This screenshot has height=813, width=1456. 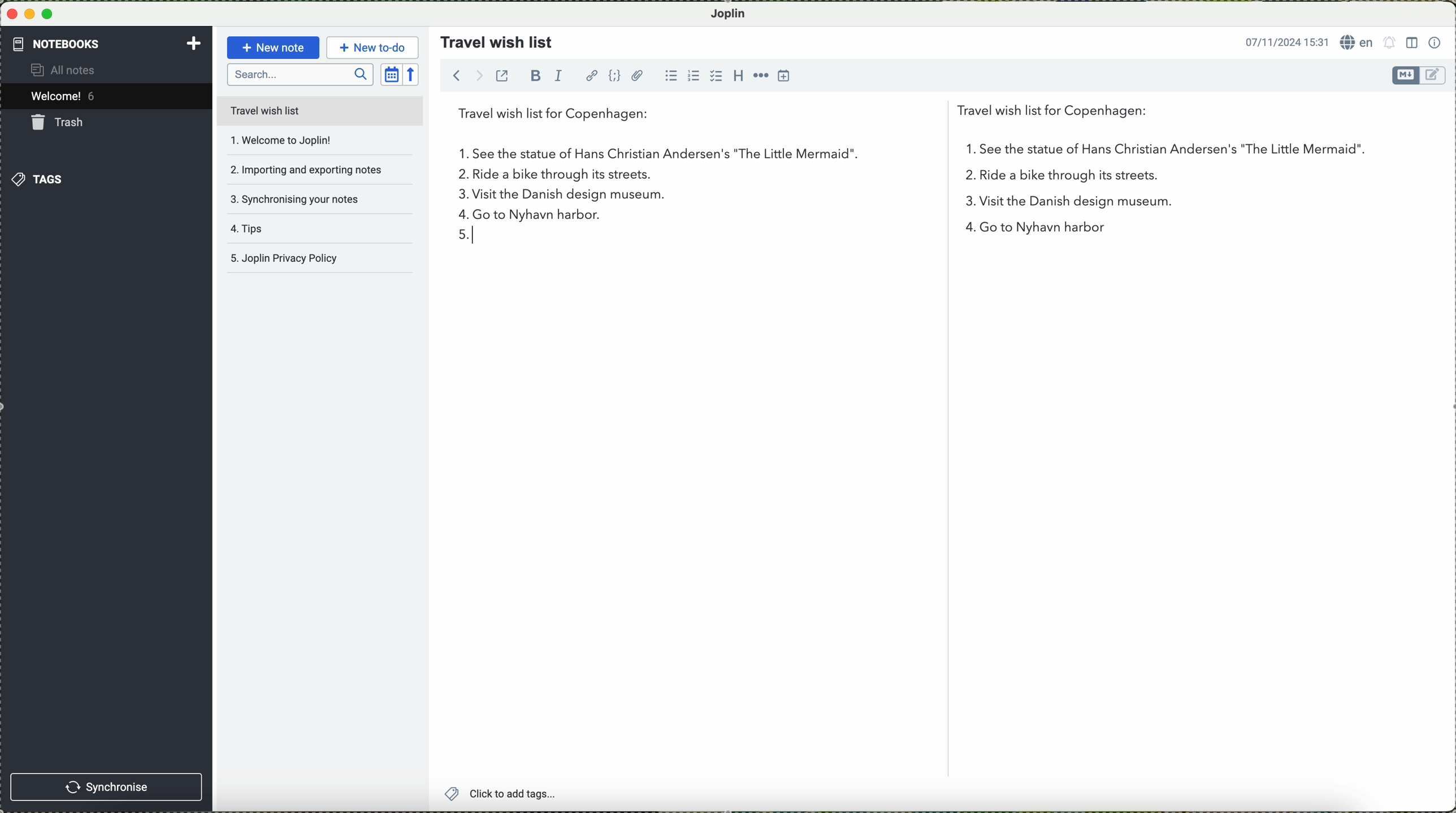 What do you see at coordinates (1357, 42) in the screenshot?
I see `language` at bounding box center [1357, 42].